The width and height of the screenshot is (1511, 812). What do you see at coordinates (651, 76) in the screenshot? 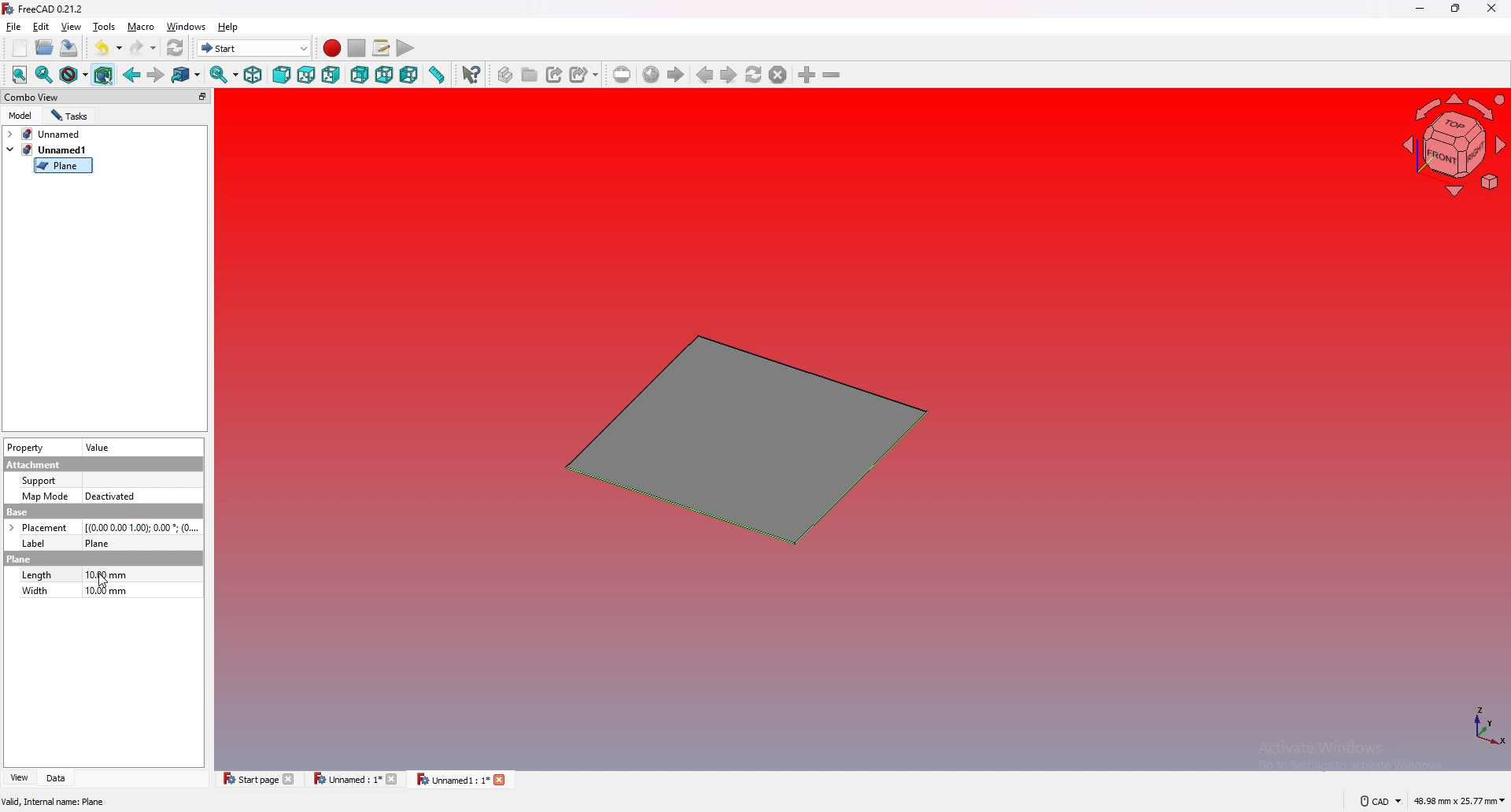
I see `go to website` at bounding box center [651, 76].